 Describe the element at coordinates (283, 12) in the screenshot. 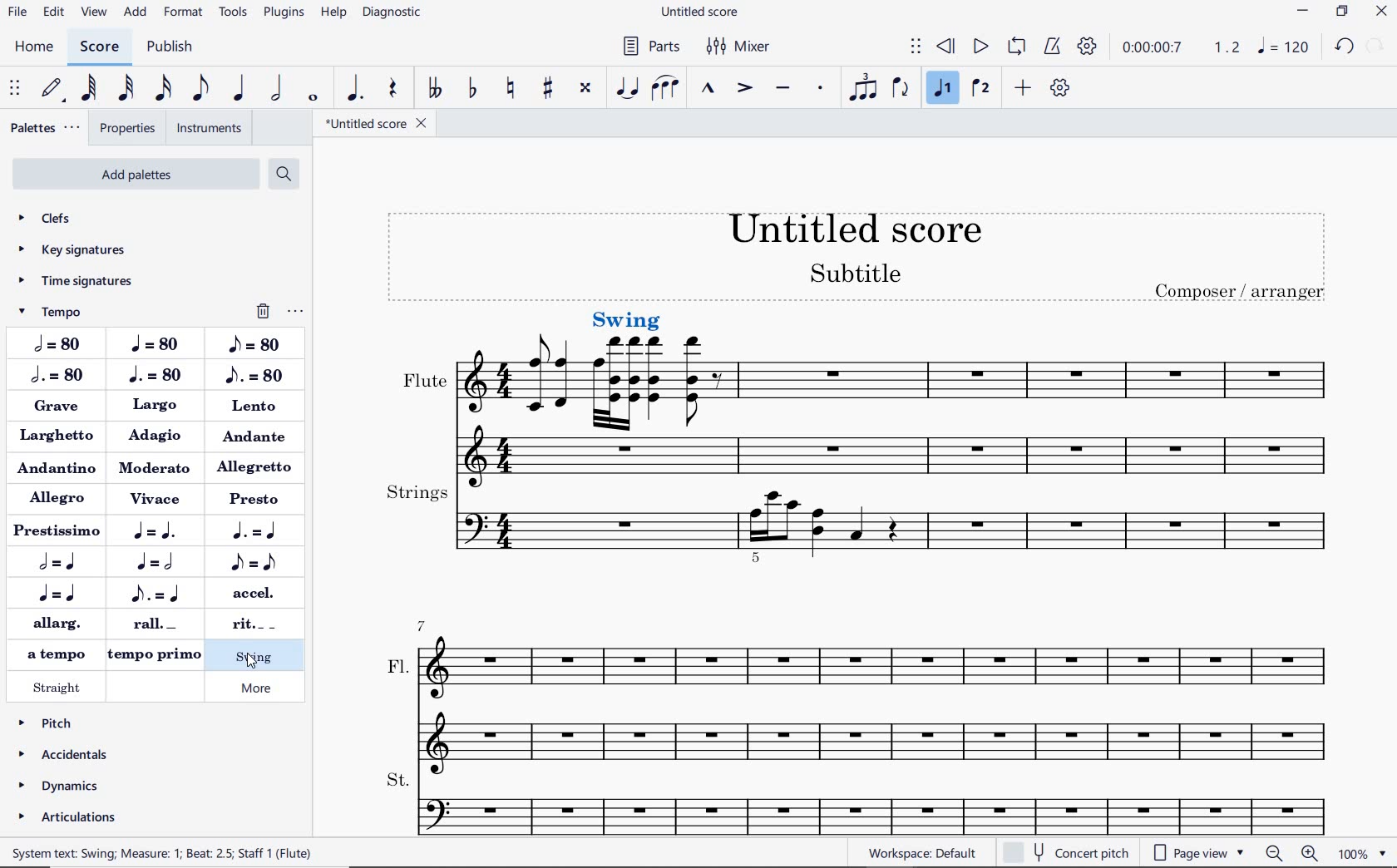

I see `PLUGINS` at that location.